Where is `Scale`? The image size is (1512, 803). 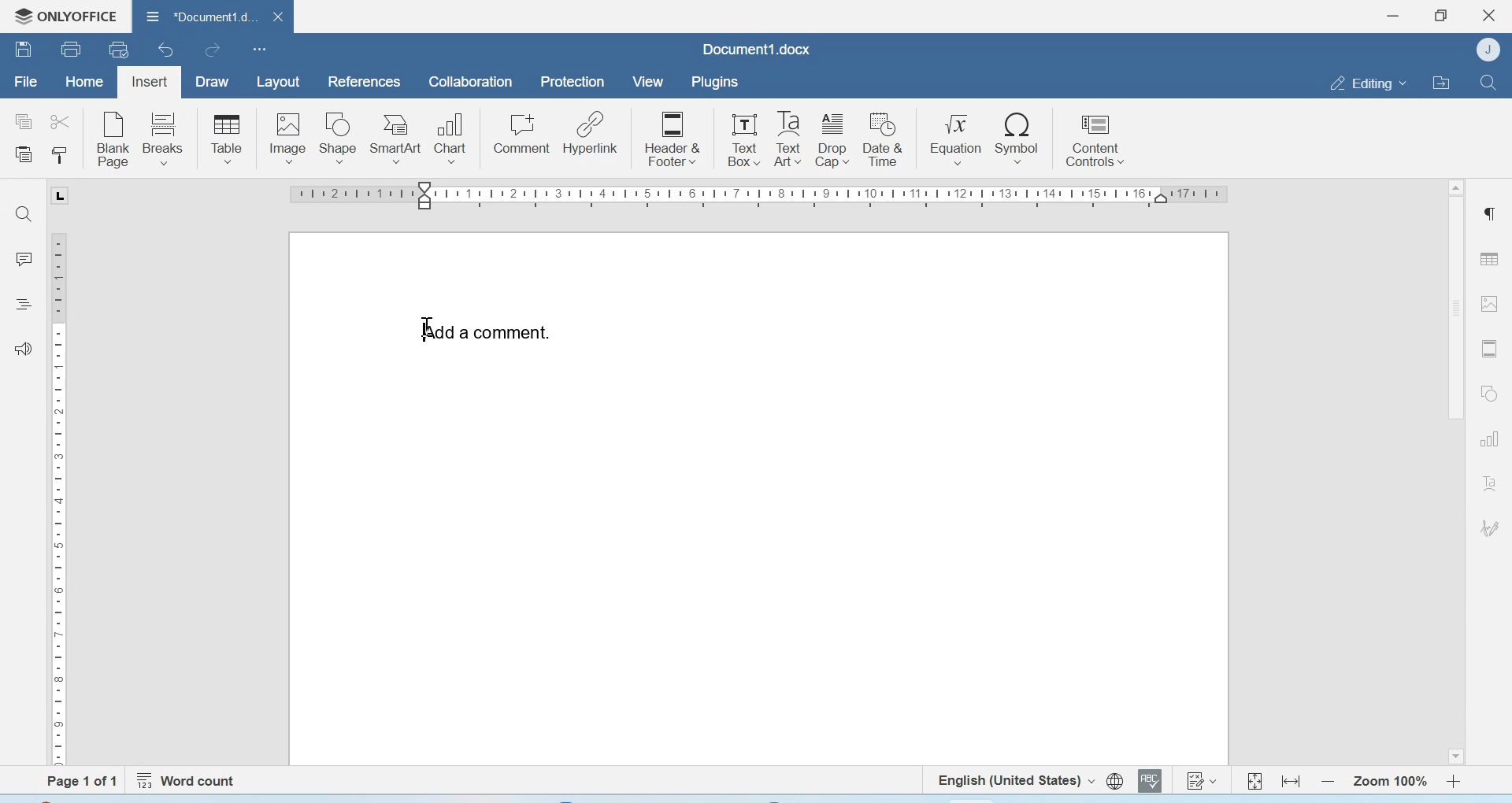 Scale is located at coordinates (61, 496).